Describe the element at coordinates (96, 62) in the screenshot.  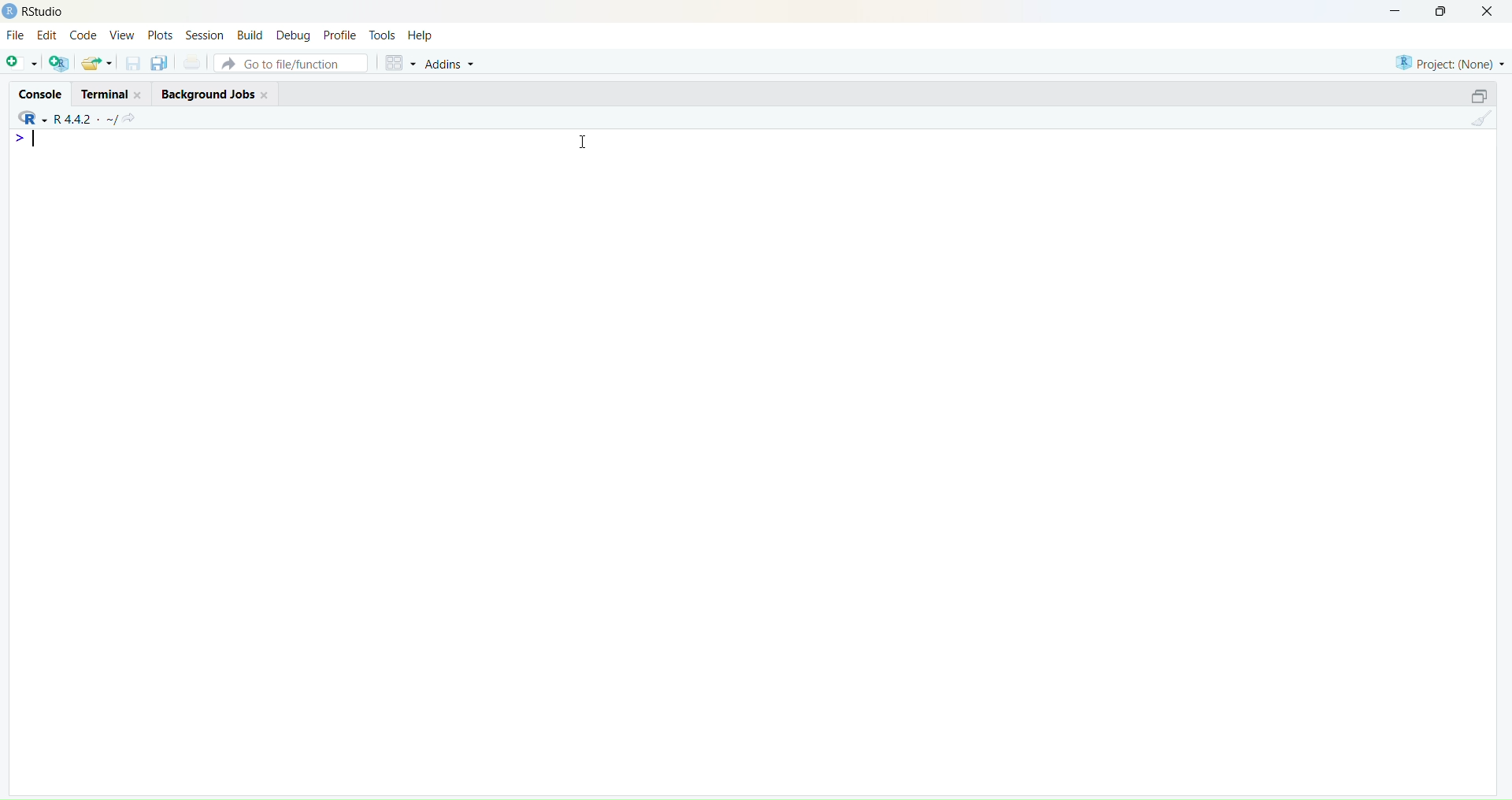
I see `share folder as` at that location.